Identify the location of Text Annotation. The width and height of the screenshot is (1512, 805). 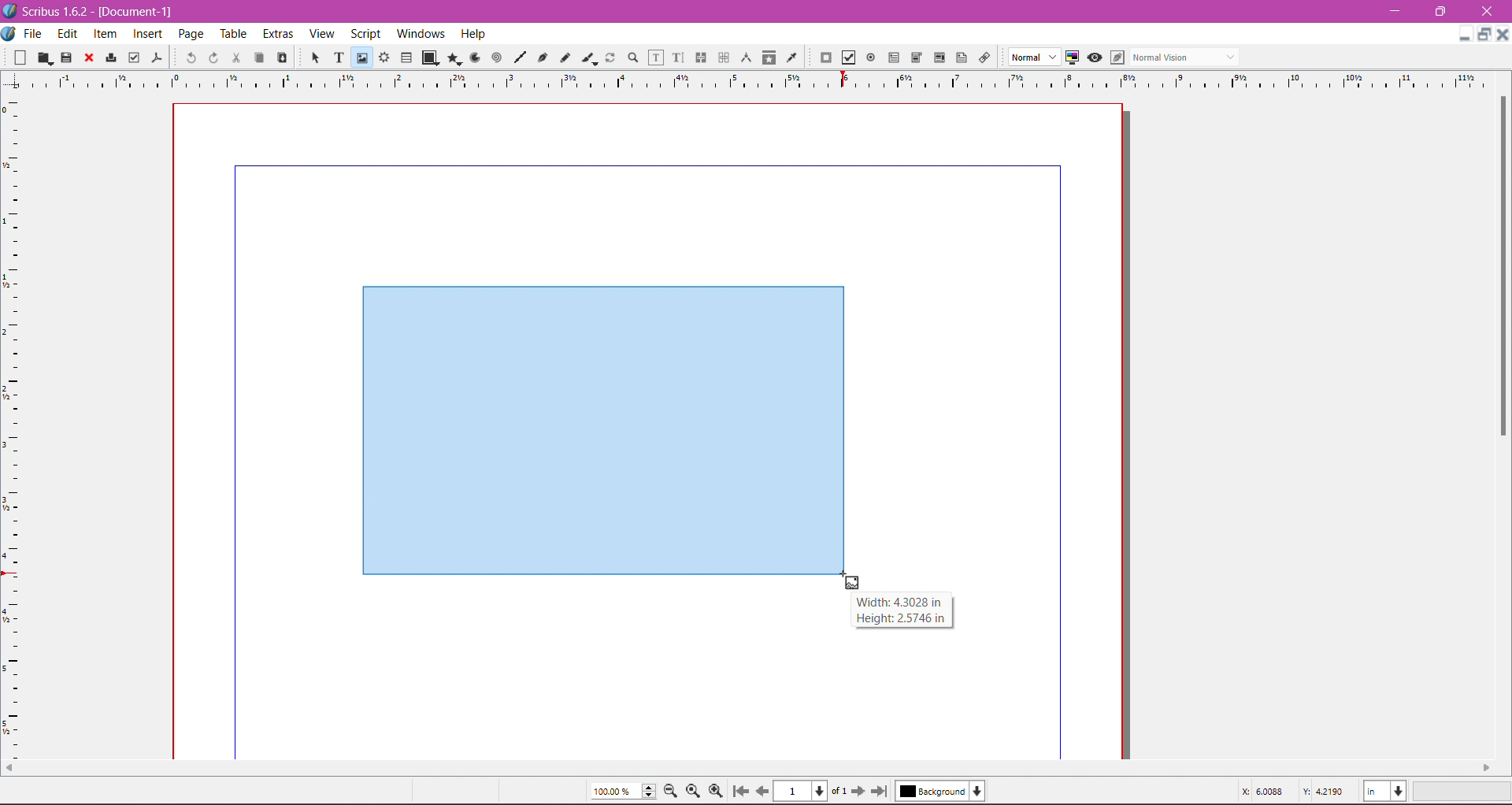
(962, 57).